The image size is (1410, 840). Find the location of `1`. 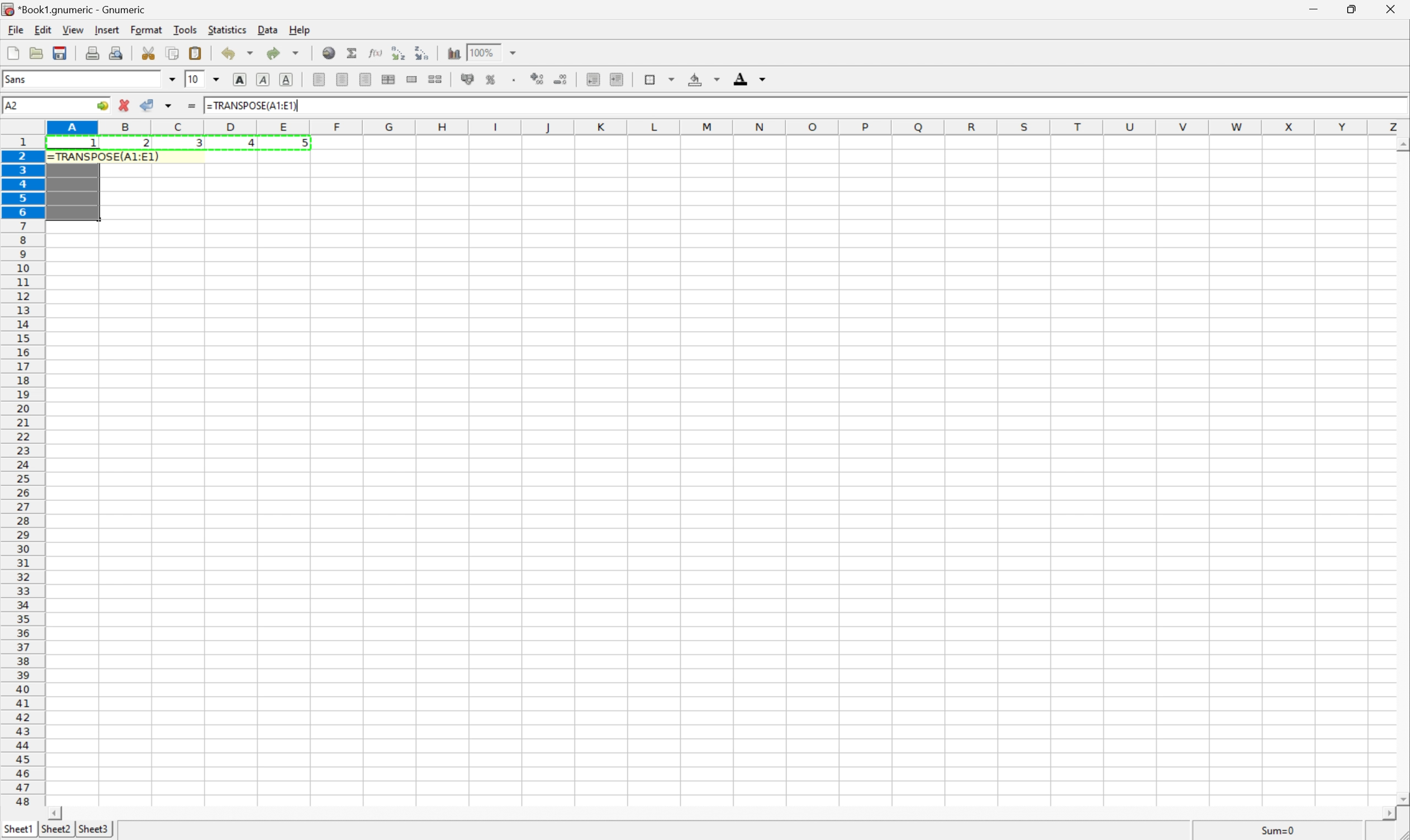

1 is located at coordinates (95, 146).